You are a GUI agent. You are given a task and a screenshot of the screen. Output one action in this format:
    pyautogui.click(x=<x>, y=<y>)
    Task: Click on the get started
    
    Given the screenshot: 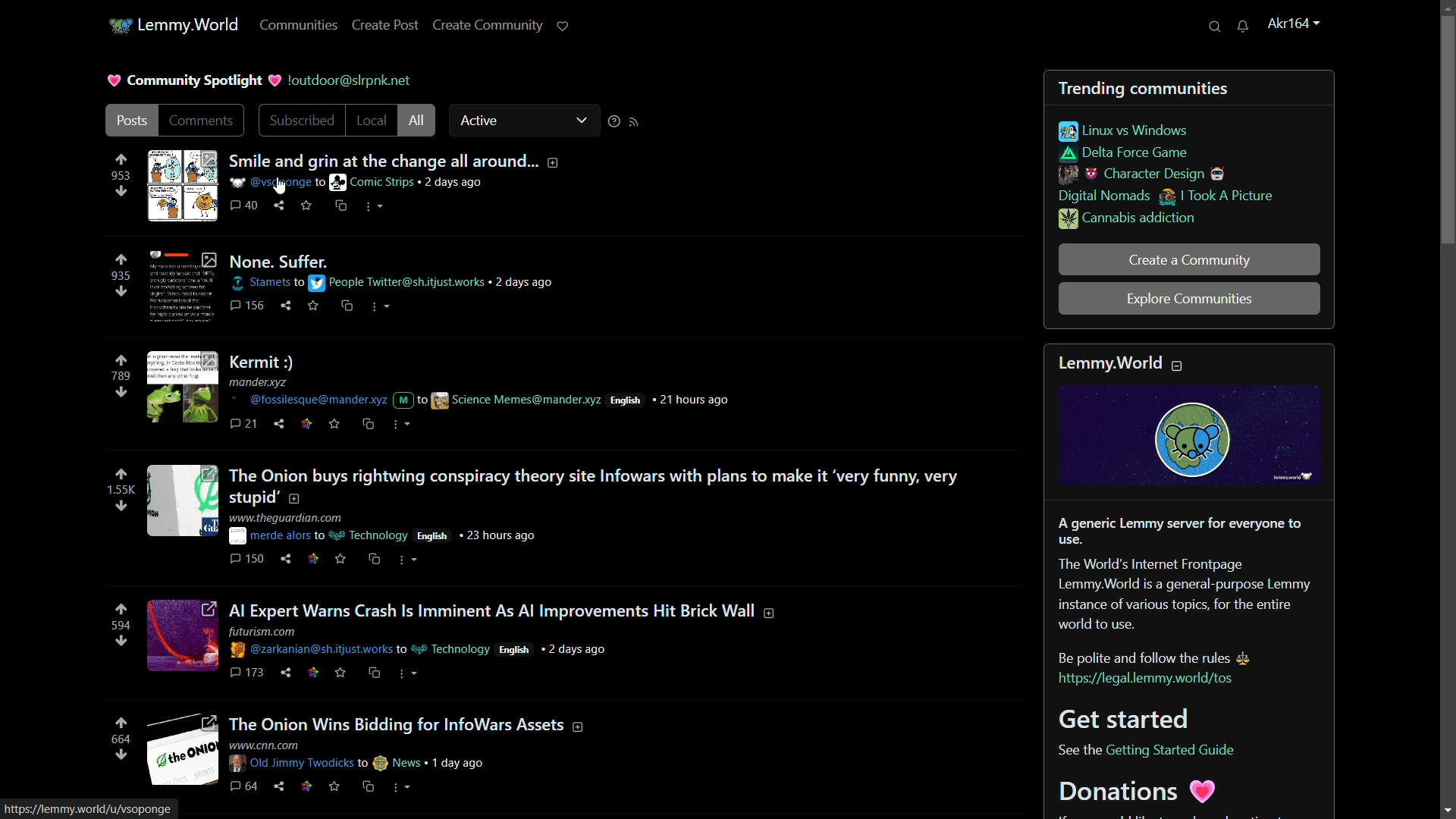 What is the action you would take?
    pyautogui.click(x=1127, y=720)
    